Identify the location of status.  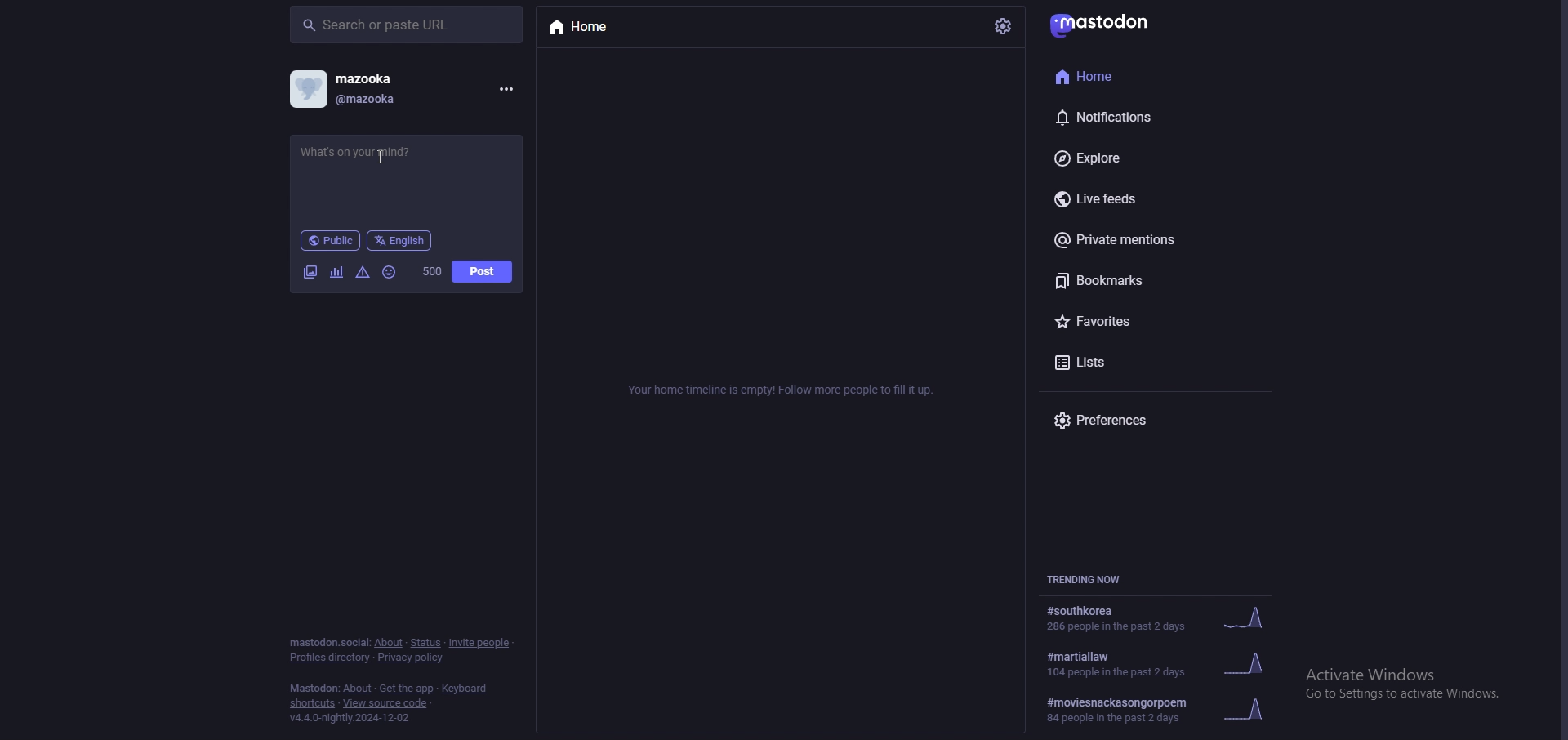
(425, 644).